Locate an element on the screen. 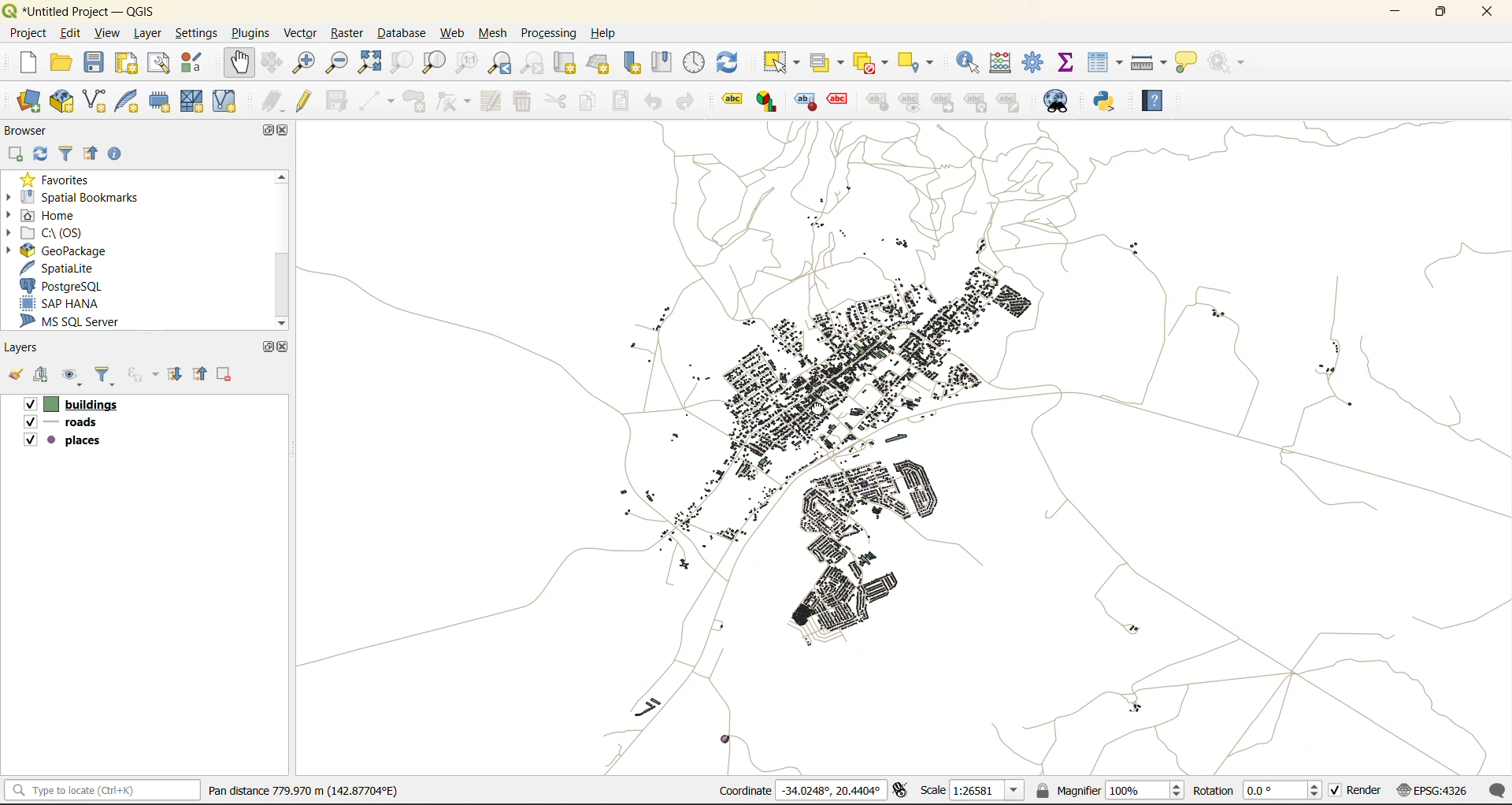  Preview is located at coordinates (913, 102).